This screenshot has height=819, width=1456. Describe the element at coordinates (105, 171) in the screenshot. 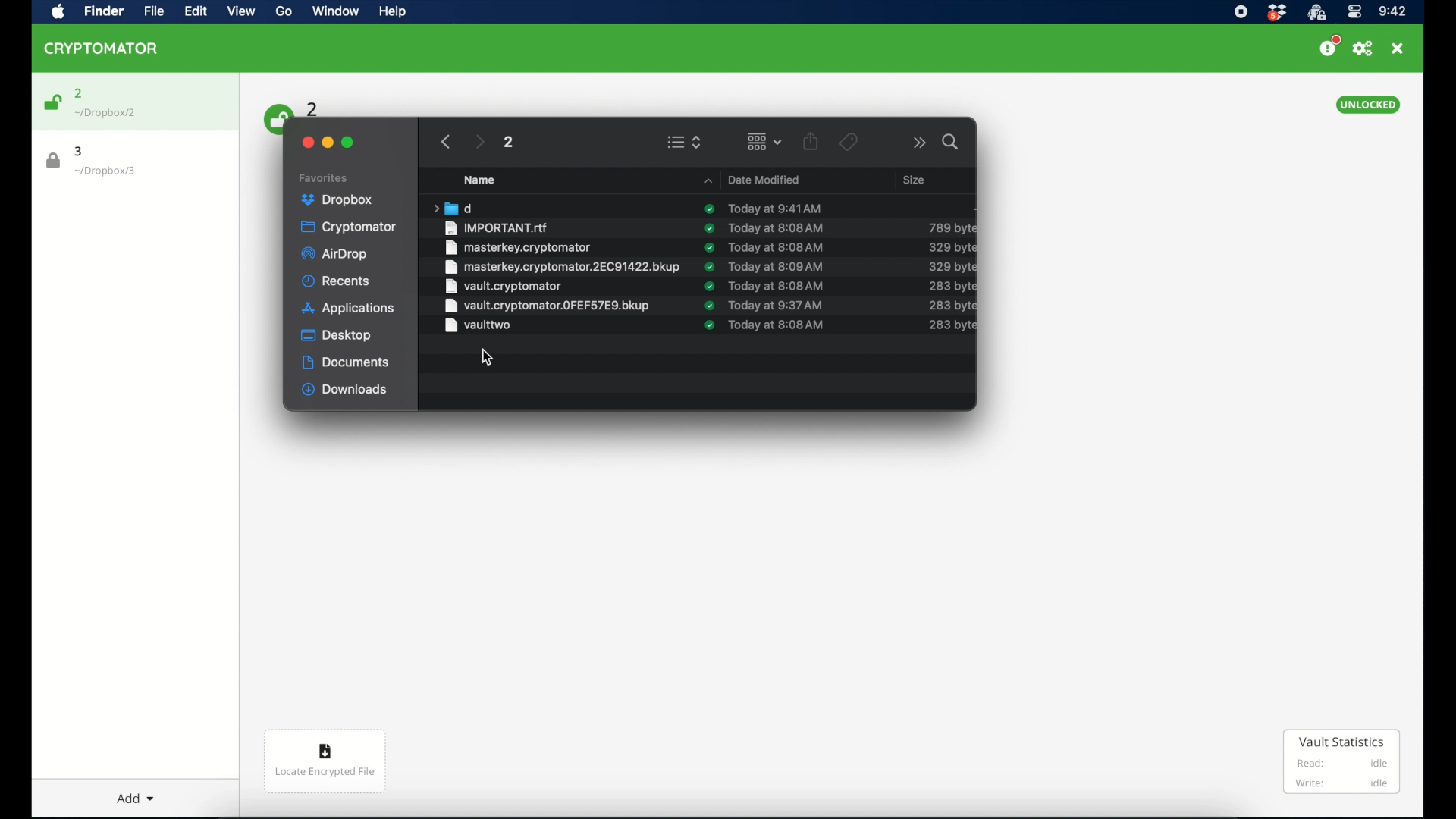

I see `location` at that location.